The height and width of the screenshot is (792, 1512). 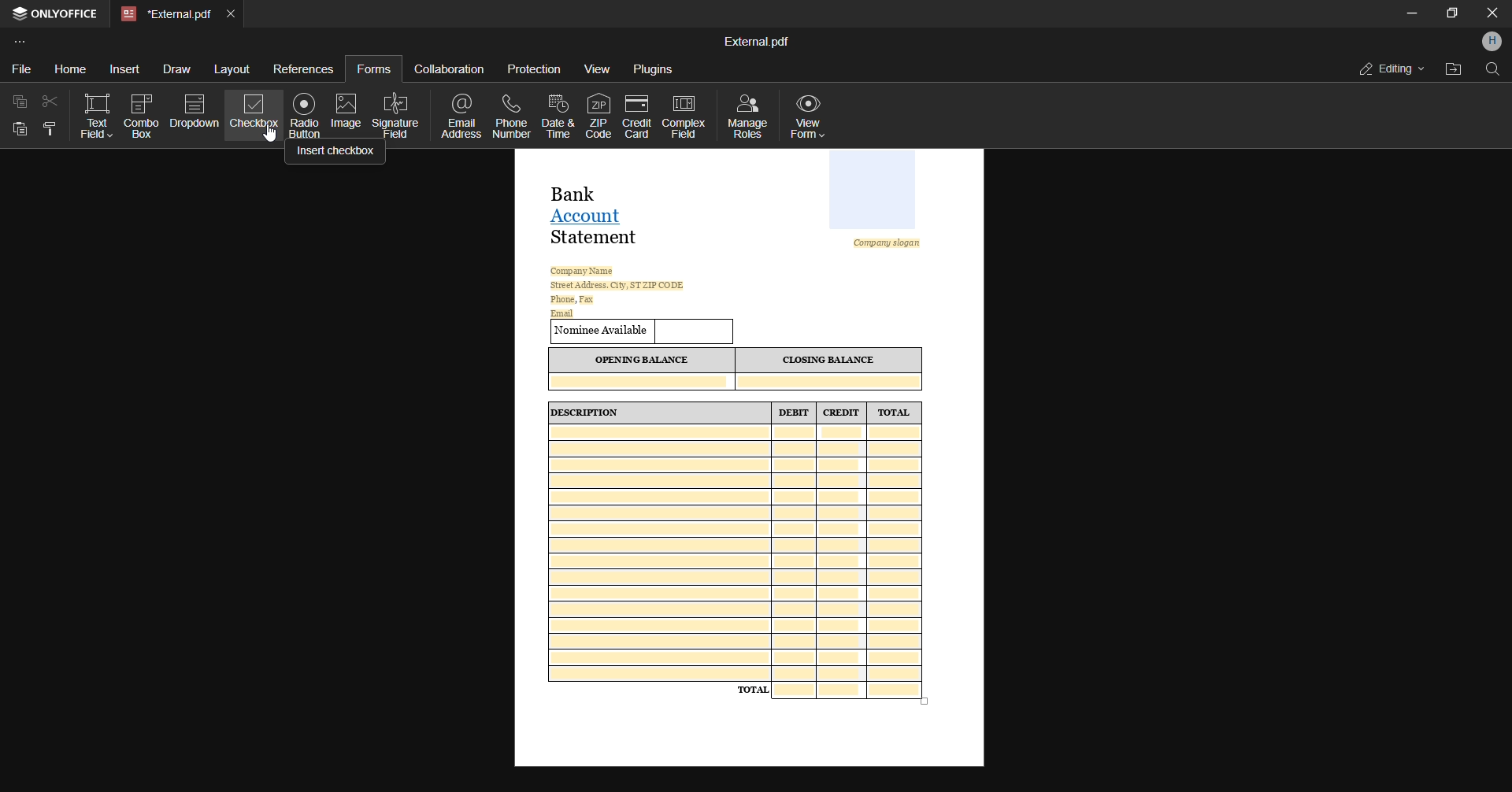 I want to click on cursor, so click(x=274, y=134).